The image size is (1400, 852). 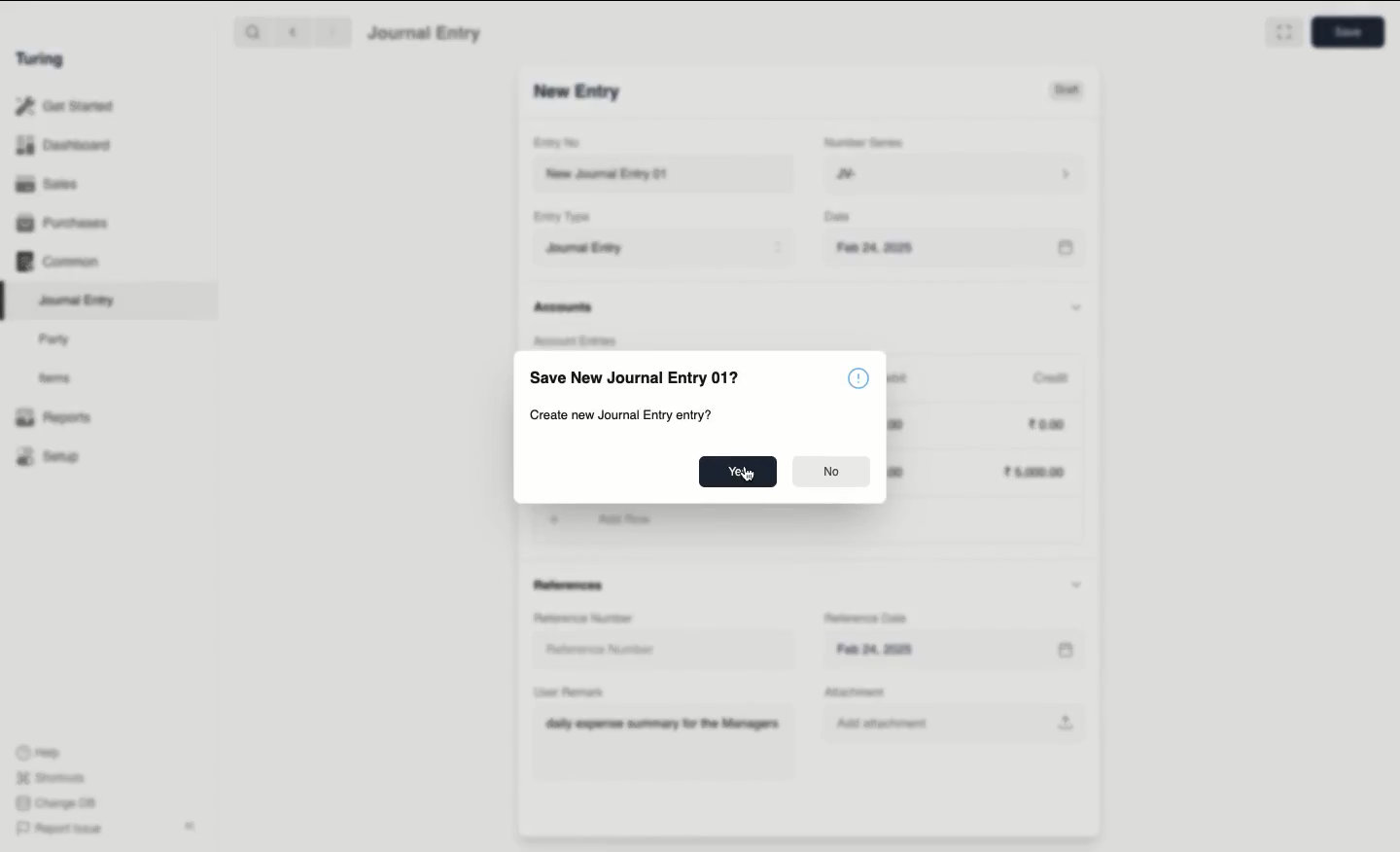 I want to click on Forward, so click(x=333, y=31).